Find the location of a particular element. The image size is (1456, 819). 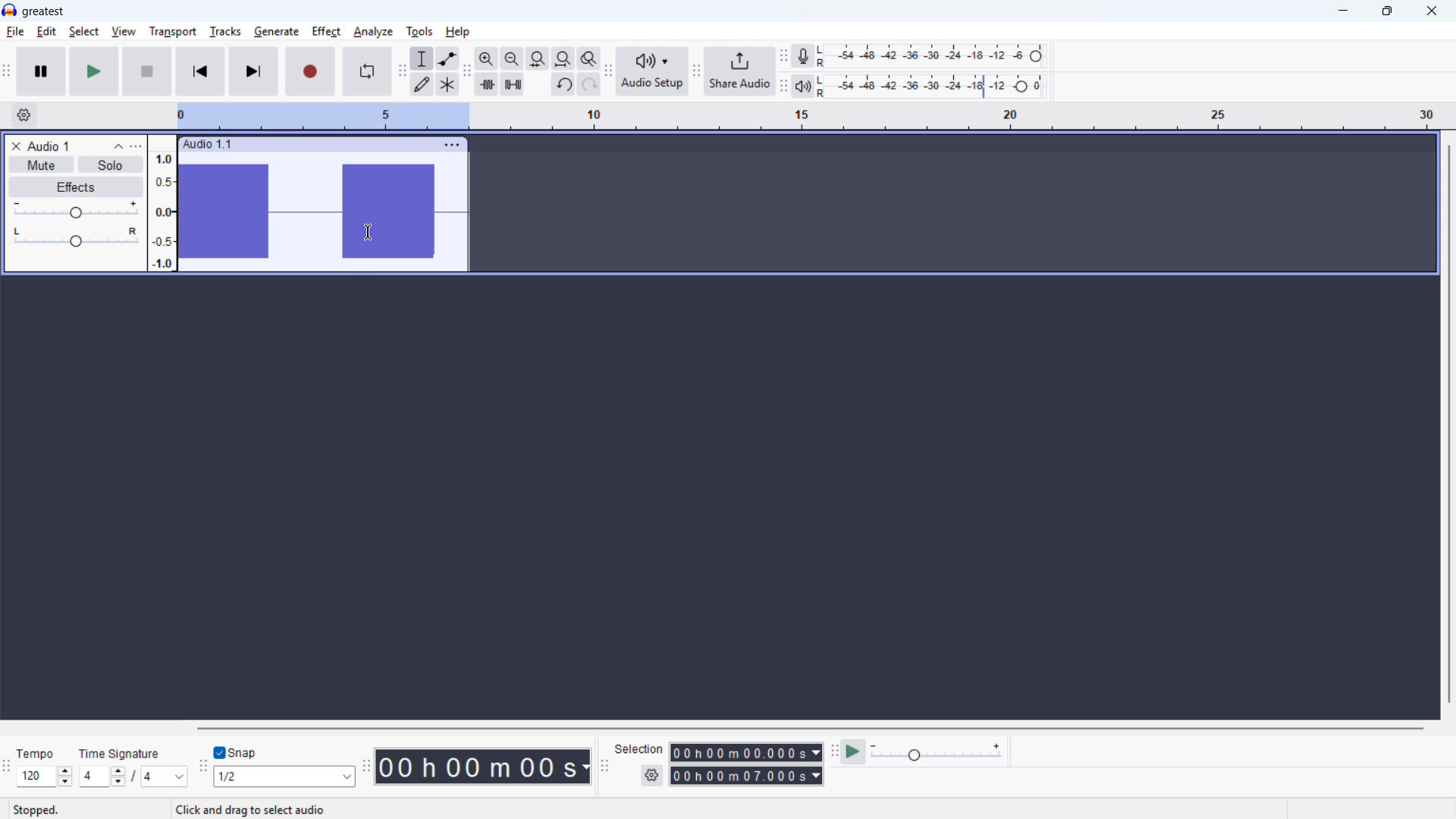

Select snapping  is located at coordinates (284, 776).